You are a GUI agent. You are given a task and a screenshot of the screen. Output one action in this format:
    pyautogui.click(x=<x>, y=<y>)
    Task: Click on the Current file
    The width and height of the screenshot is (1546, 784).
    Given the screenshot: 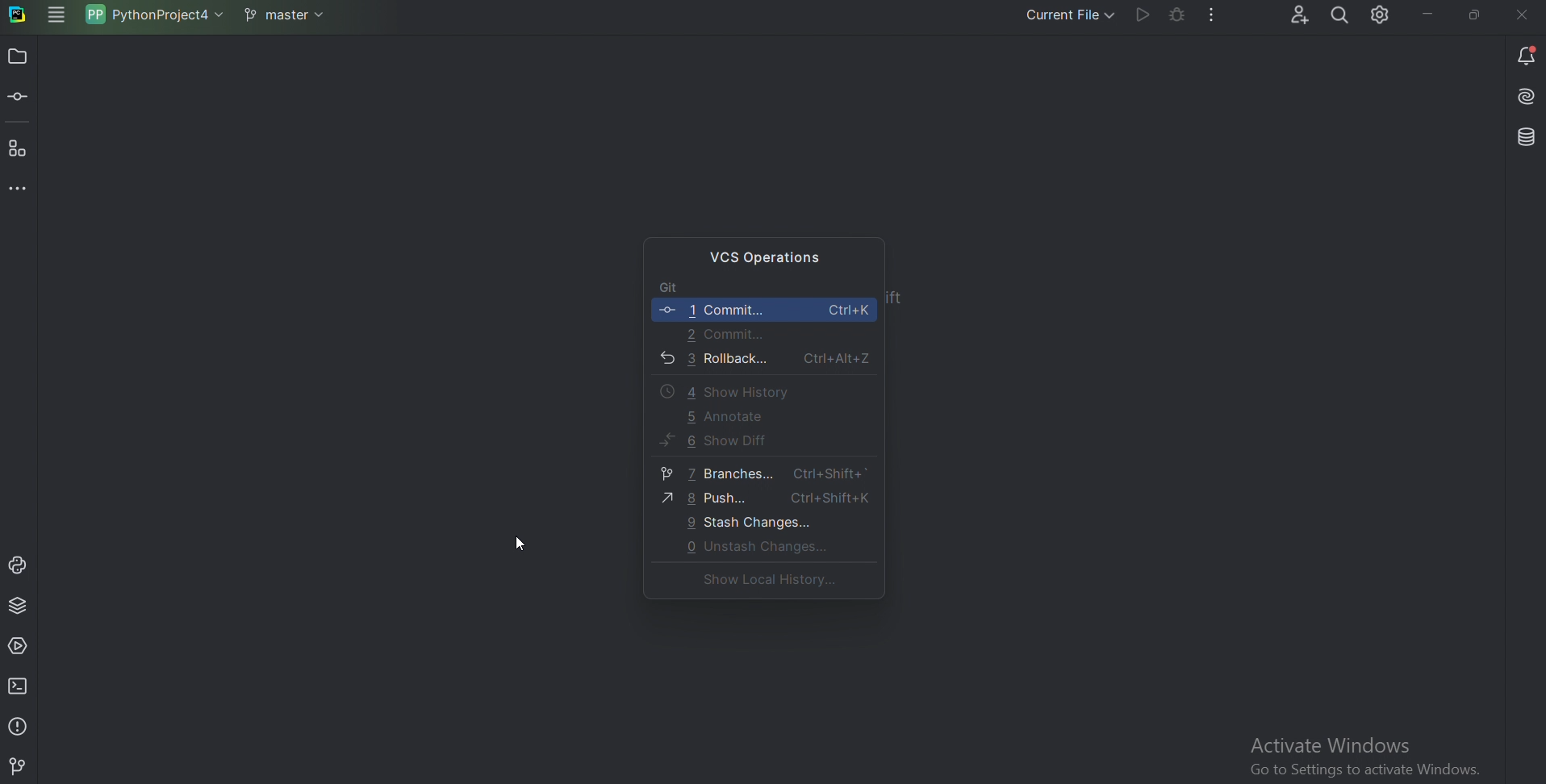 What is the action you would take?
    pyautogui.click(x=1059, y=15)
    